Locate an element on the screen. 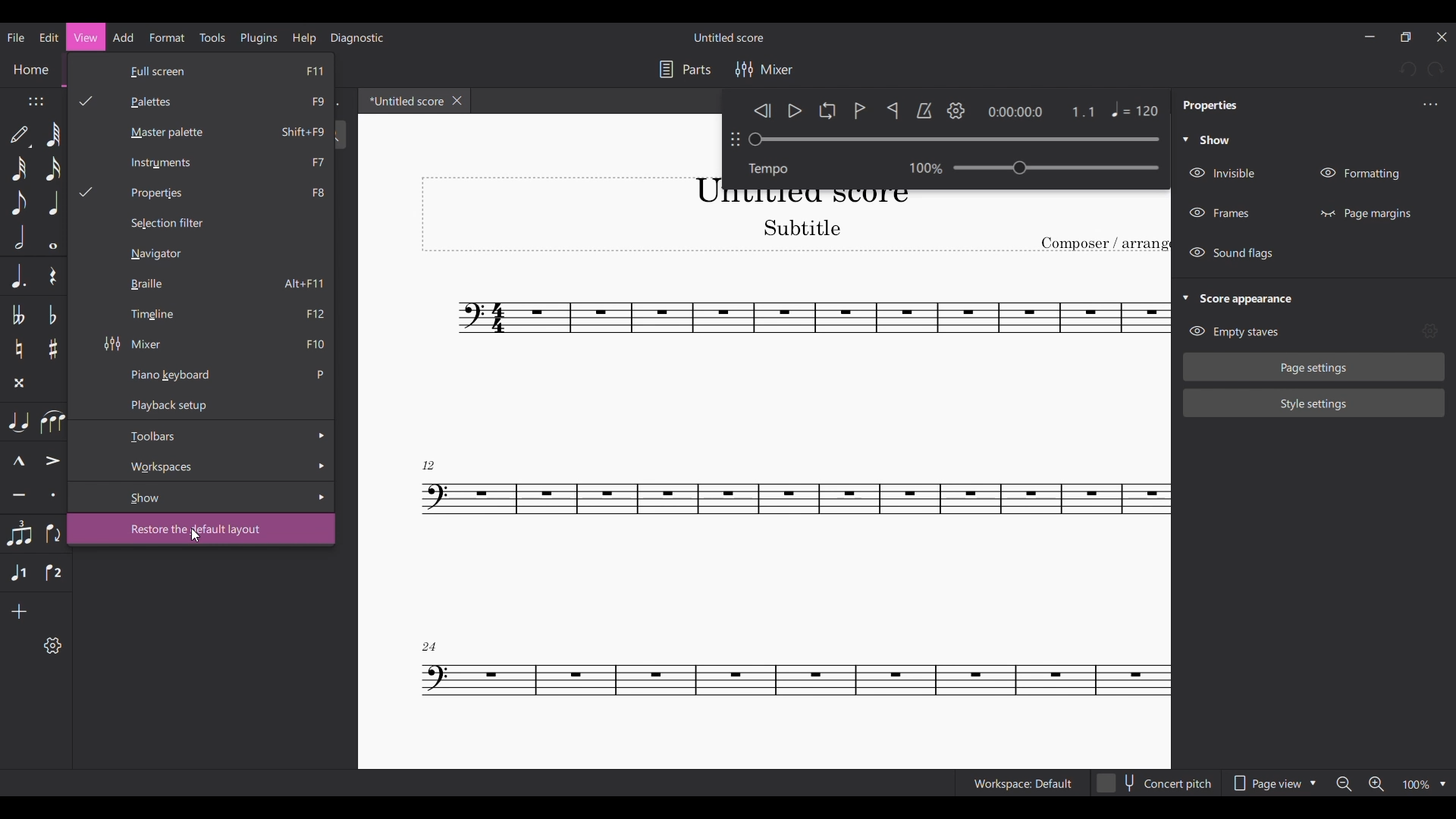 The image size is (1456, 819). Playback setup is located at coordinates (215, 403).